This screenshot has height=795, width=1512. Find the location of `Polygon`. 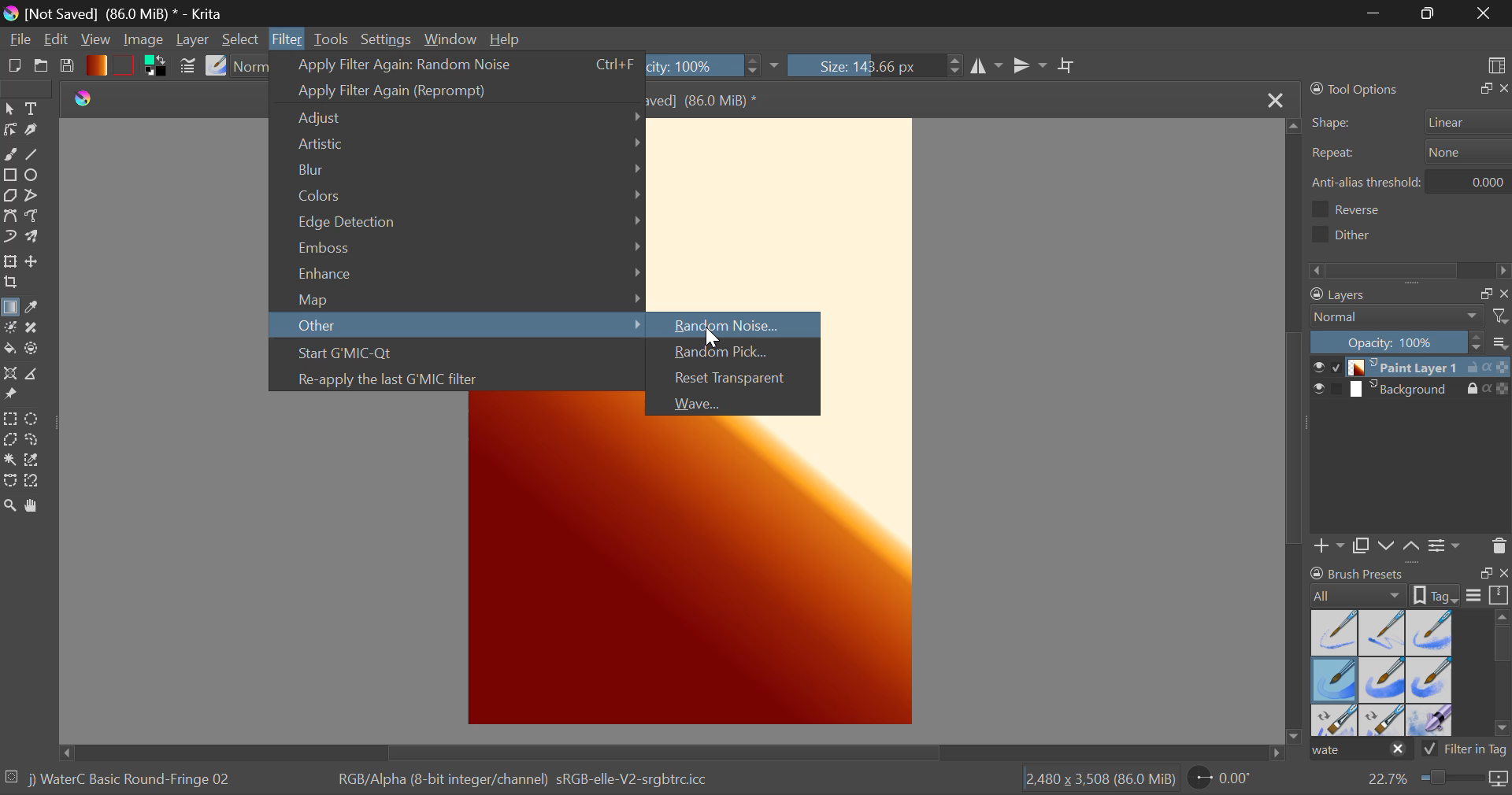

Polygon is located at coordinates (9, 195).